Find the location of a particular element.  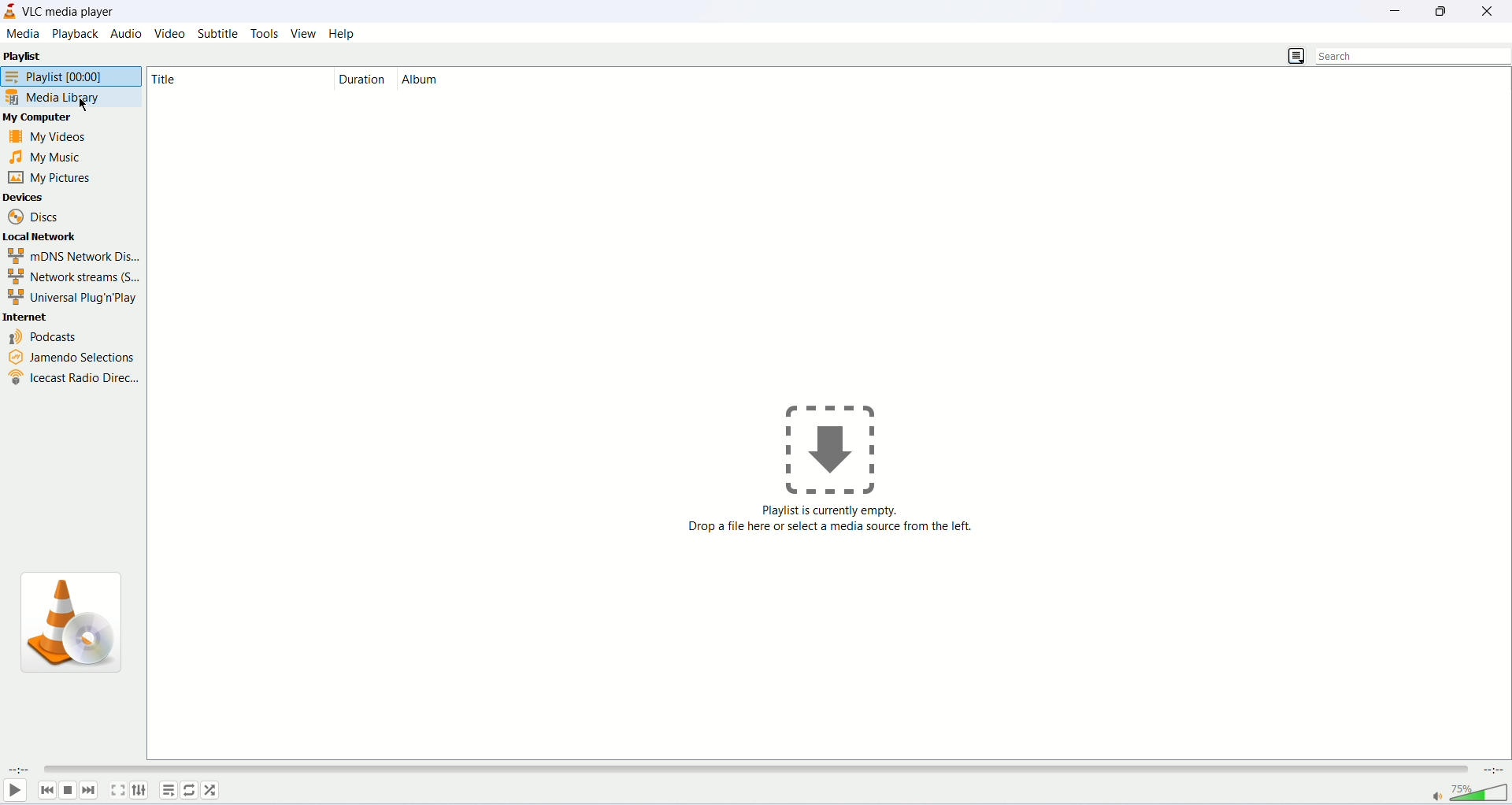

loop is located at coordinates (190, 790).